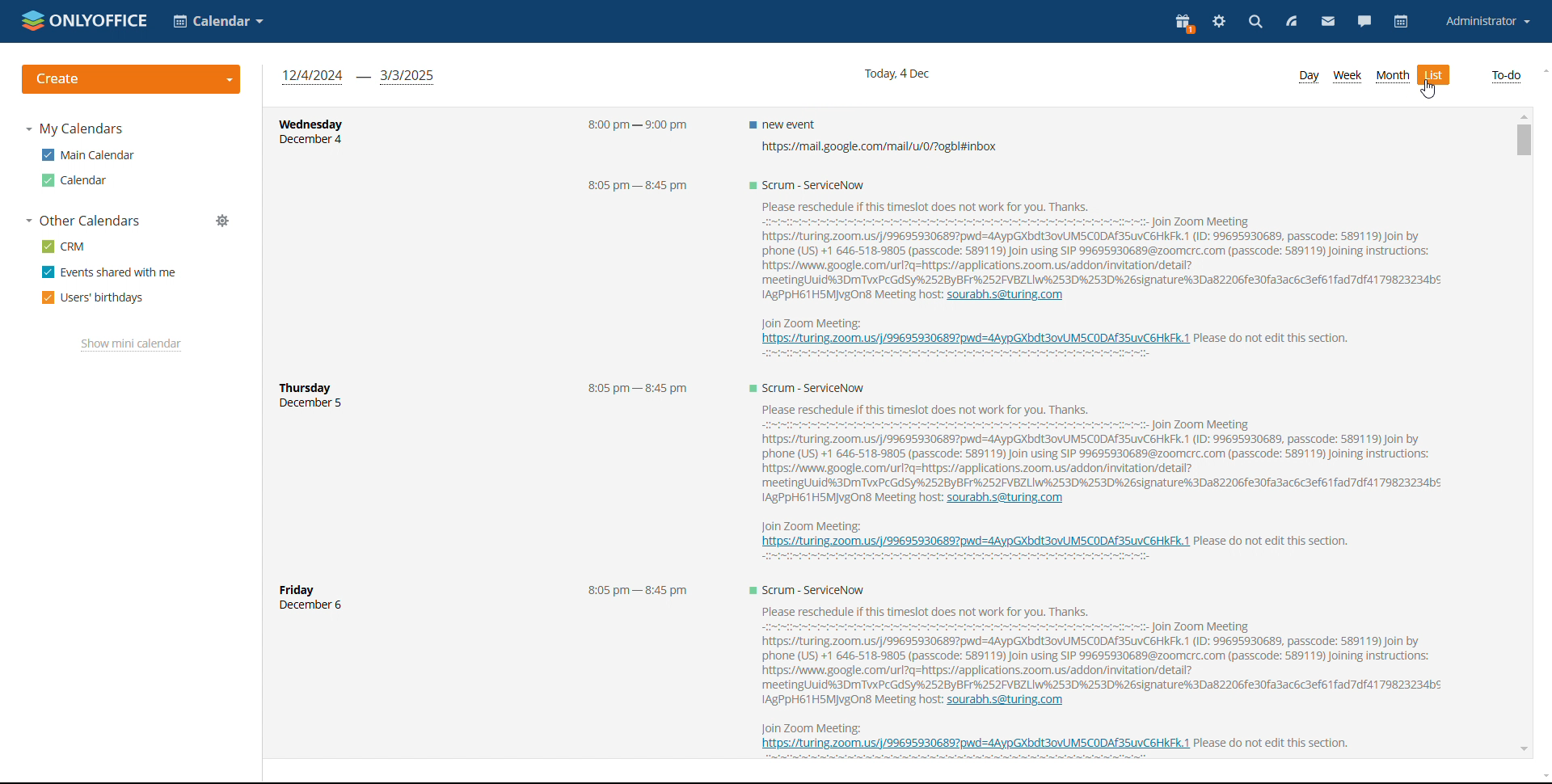 The height and width of the screenshot is (784, 1552). Describe the element at coordinates (1506, 76) in the screenshot. I see `to-do` at that location.